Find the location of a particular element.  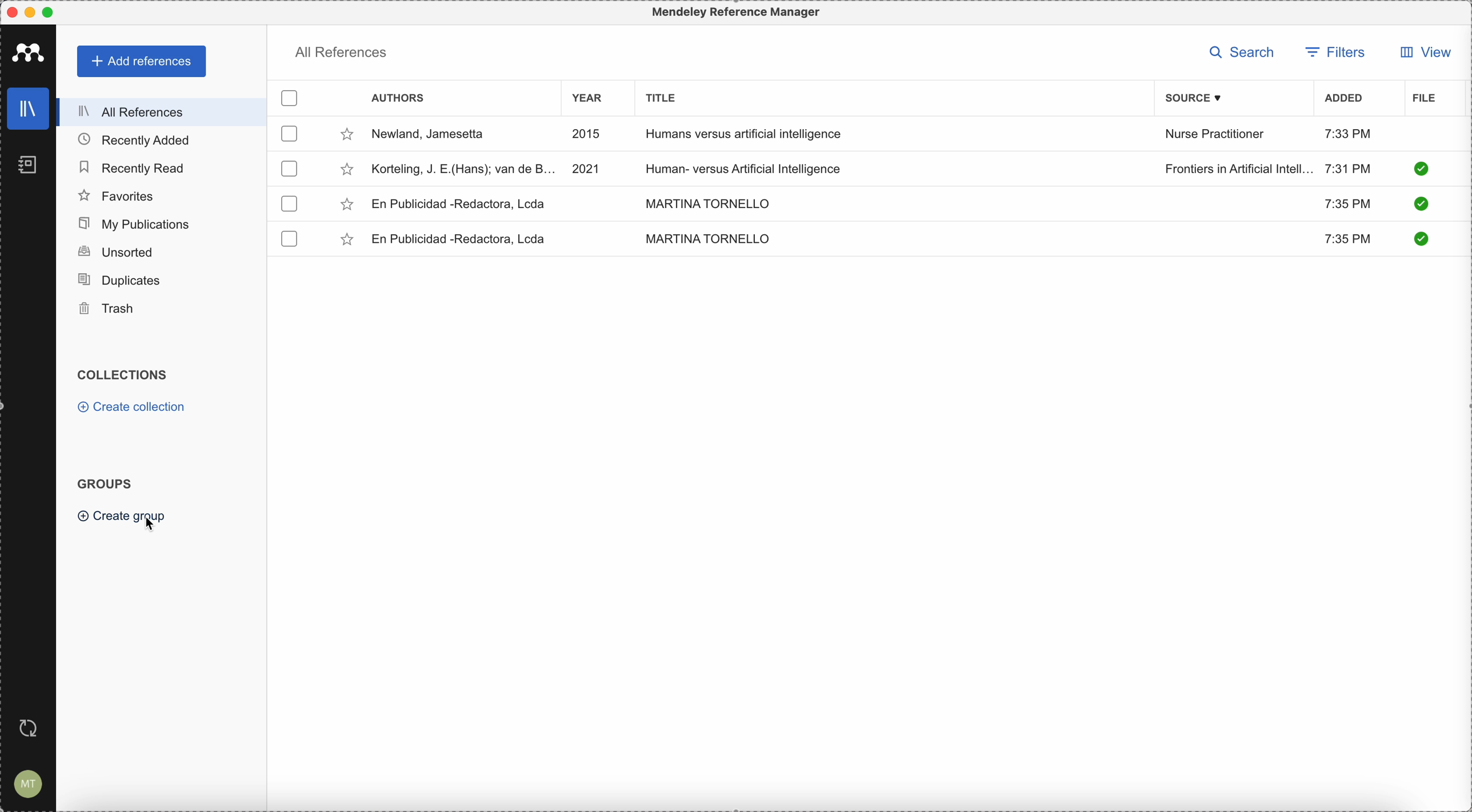

check it is located at coordinates (1421, 169).